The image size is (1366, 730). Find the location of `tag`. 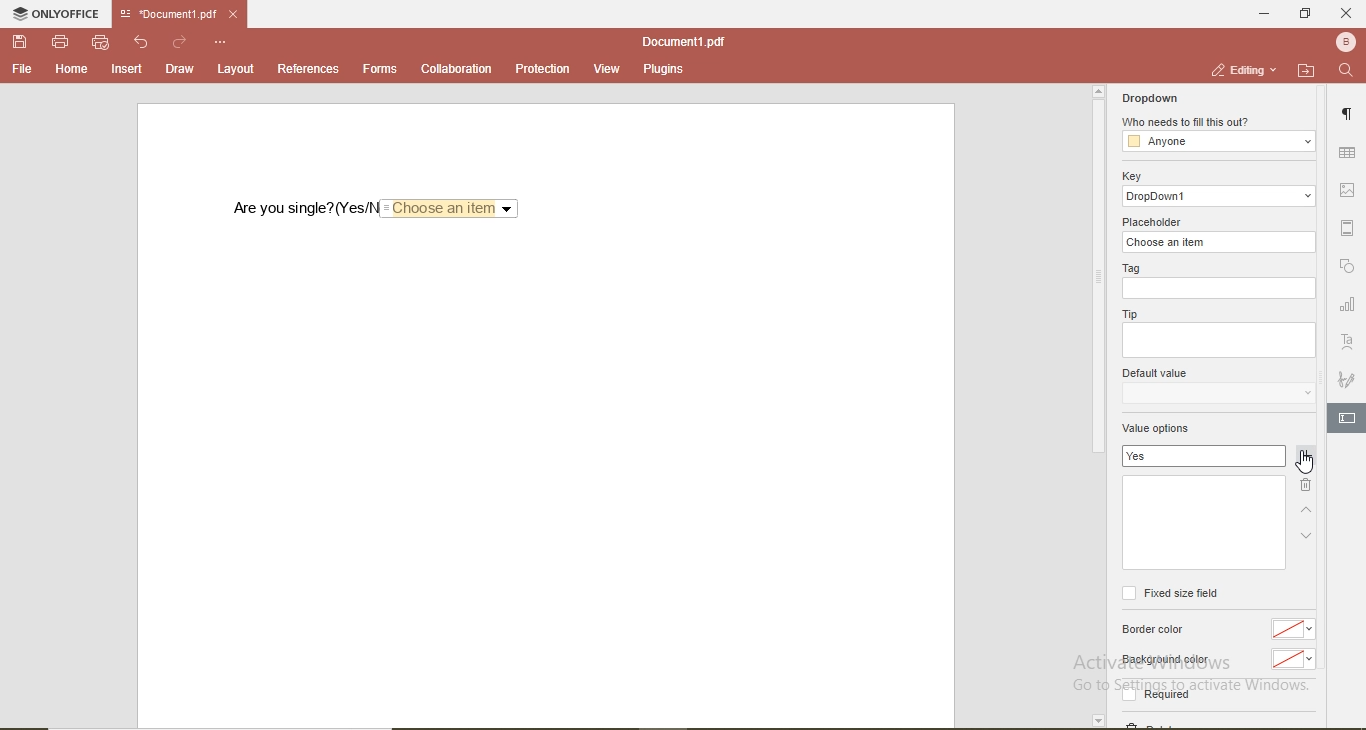

tag is located at coordinates (1131, 268).